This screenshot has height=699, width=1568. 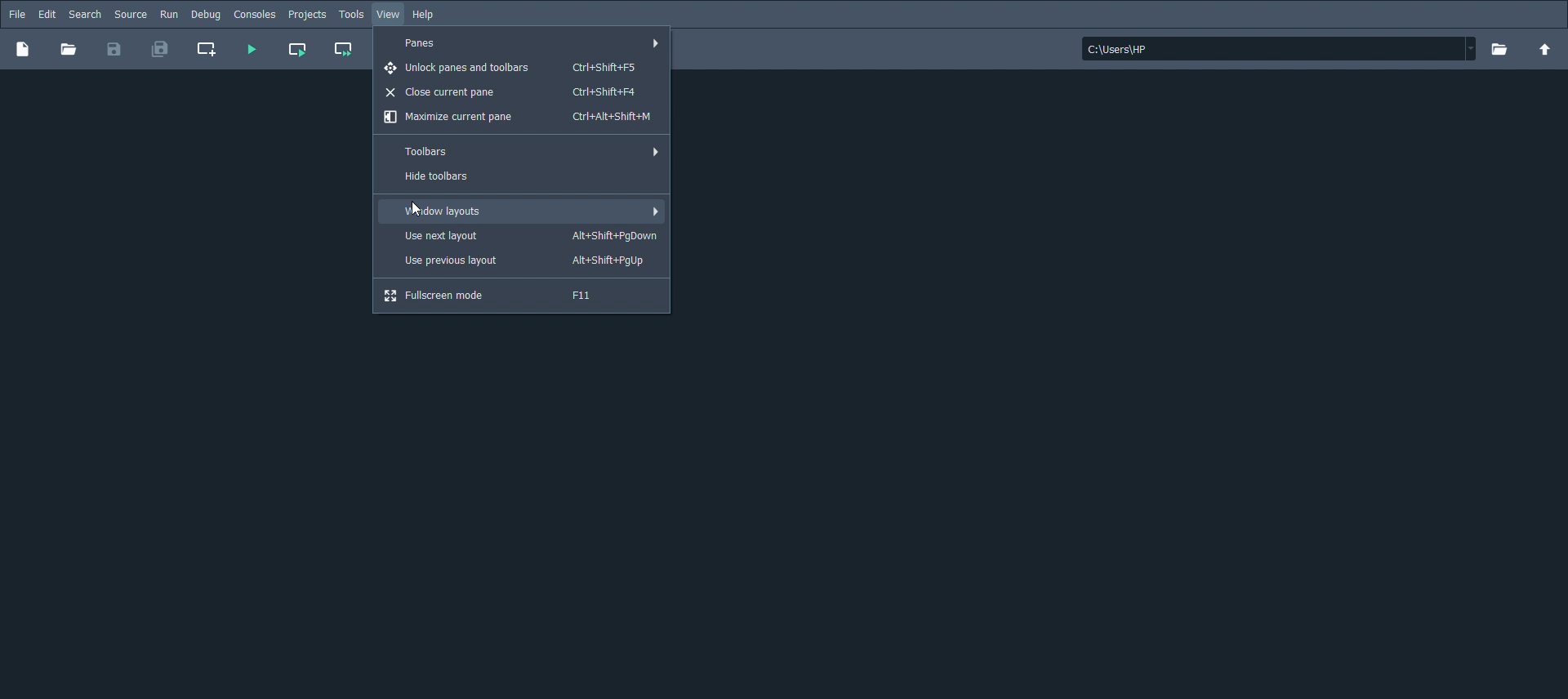 I want to click on Unlock panes and toolbars, so click(x=514, y=68).